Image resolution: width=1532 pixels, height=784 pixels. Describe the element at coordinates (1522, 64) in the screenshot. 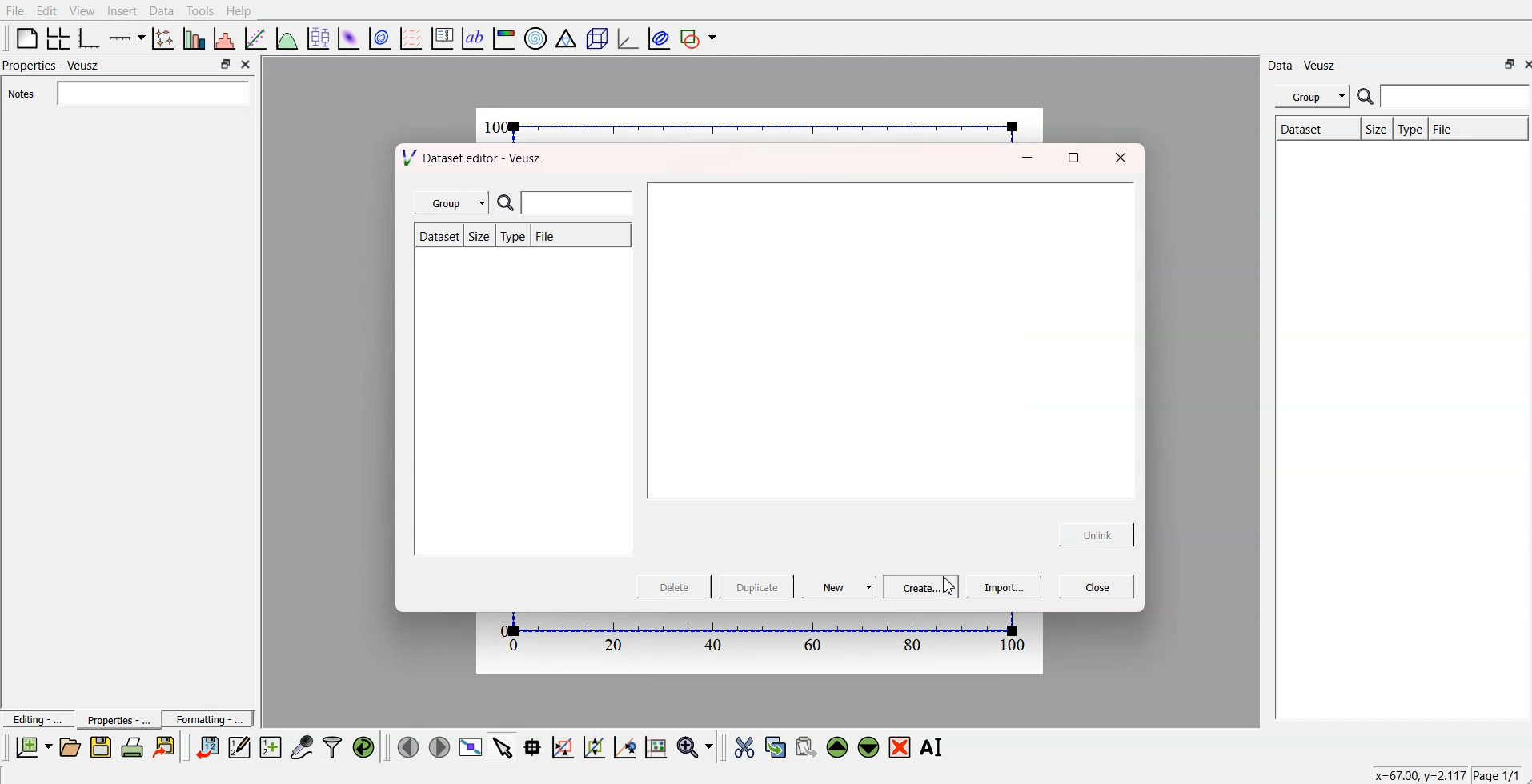

I see `Close` at that location.